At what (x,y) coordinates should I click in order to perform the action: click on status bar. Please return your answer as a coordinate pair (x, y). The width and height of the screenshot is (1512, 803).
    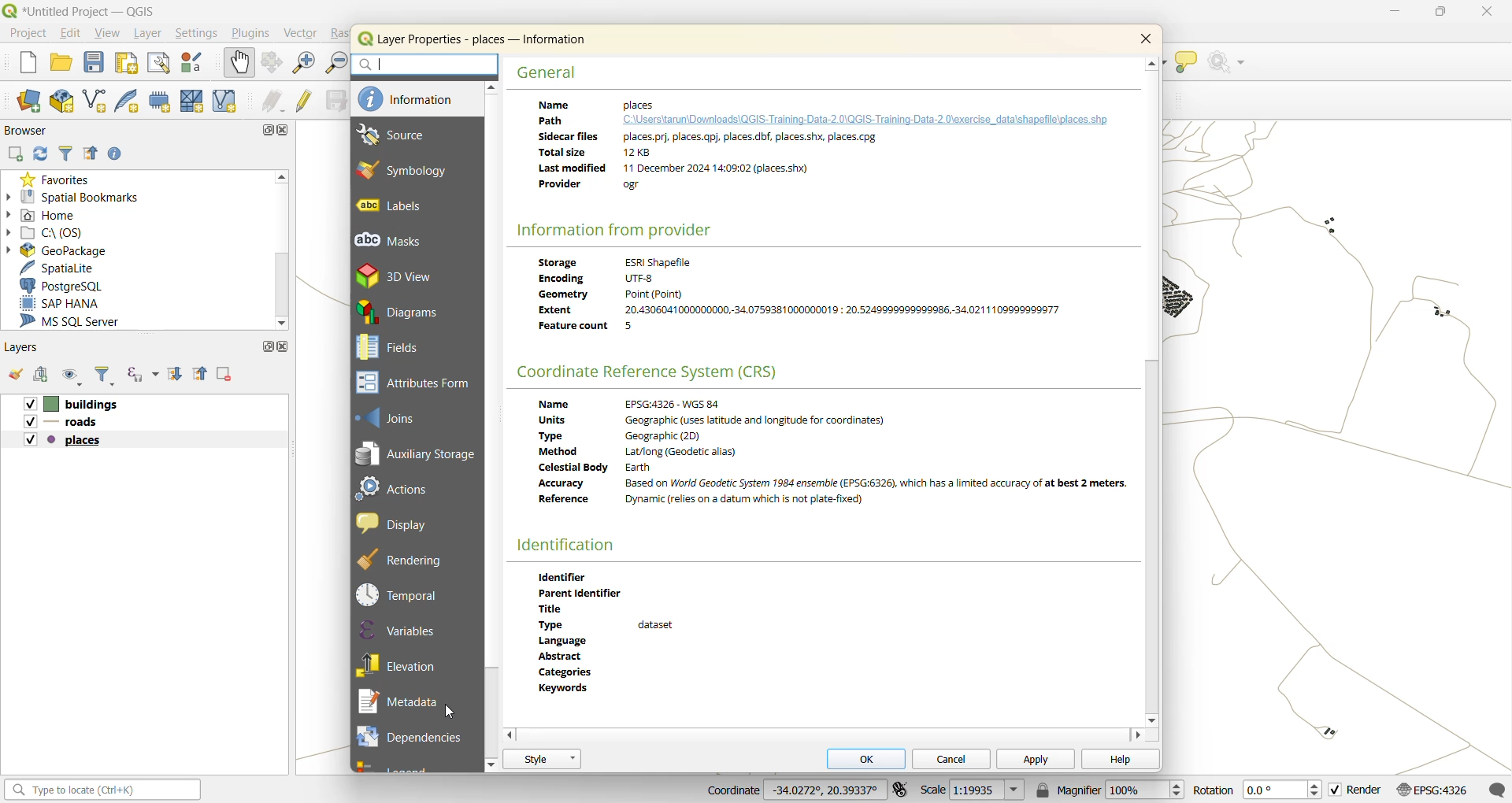
    Looking at the image, I should click on (100, 789).